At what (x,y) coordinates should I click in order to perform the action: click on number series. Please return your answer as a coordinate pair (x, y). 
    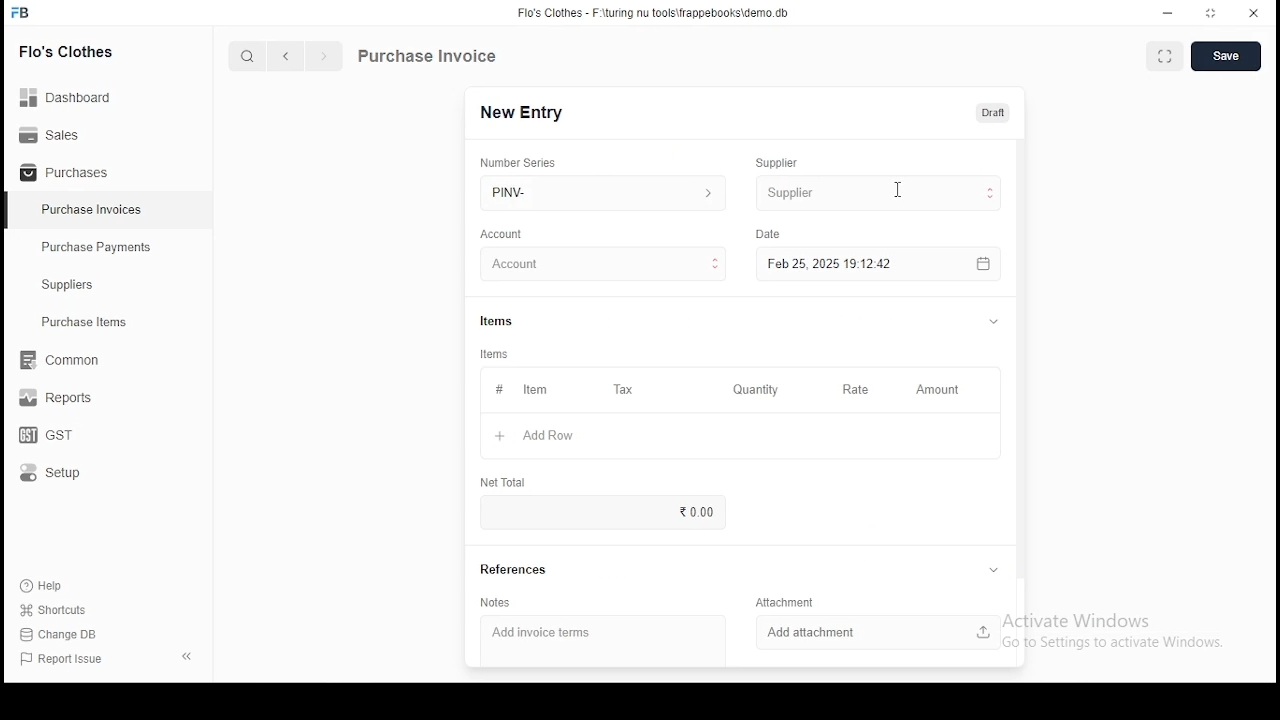
    Looking at the image, I should click on (519, 162).